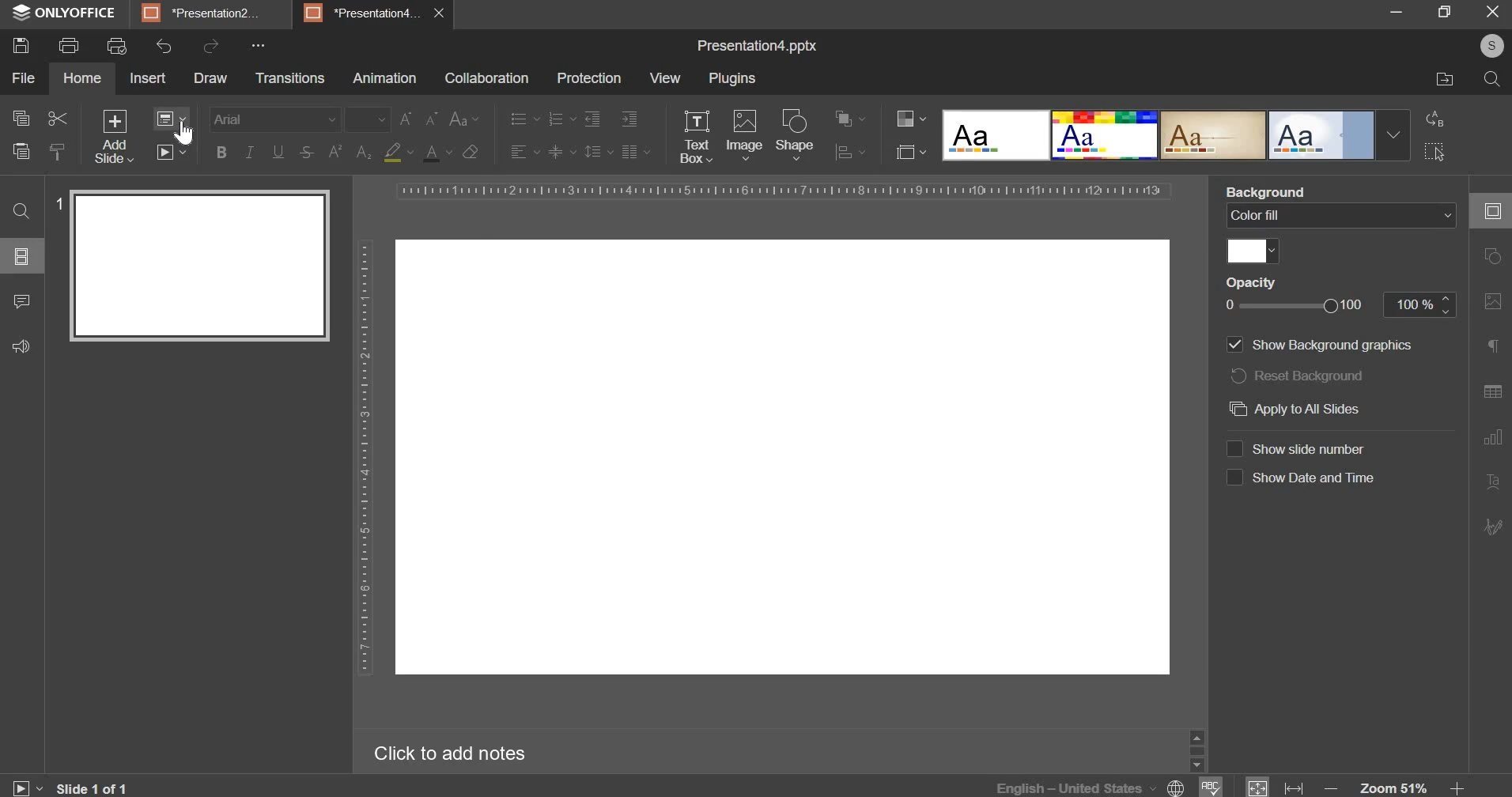 The width and height of the screenshot is (1512, 797). Describe the element at coordinates (1234, 478) in the screenshot. I see `check box` at that location.